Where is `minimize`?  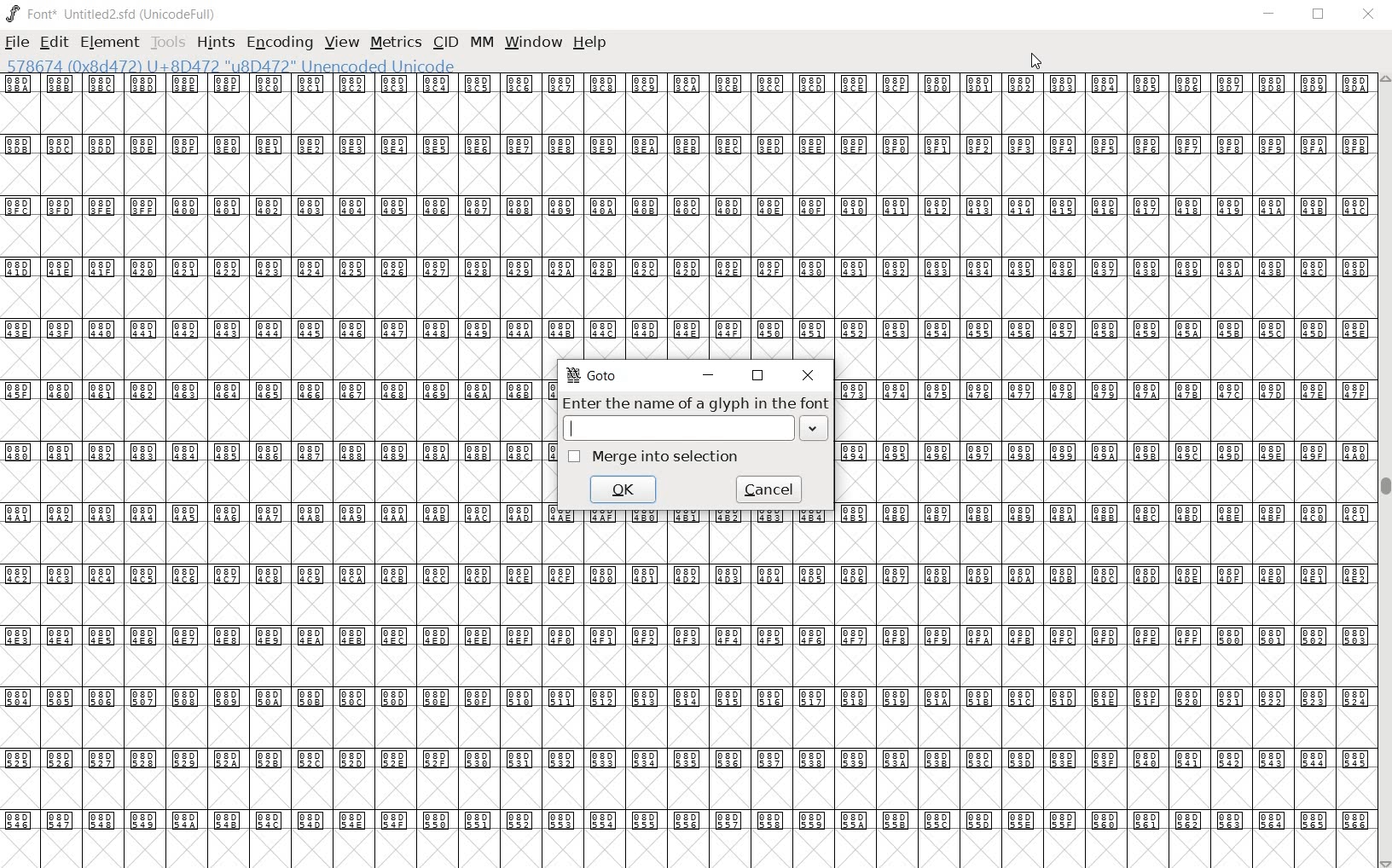 minimize is located at coordinates (710, 376).